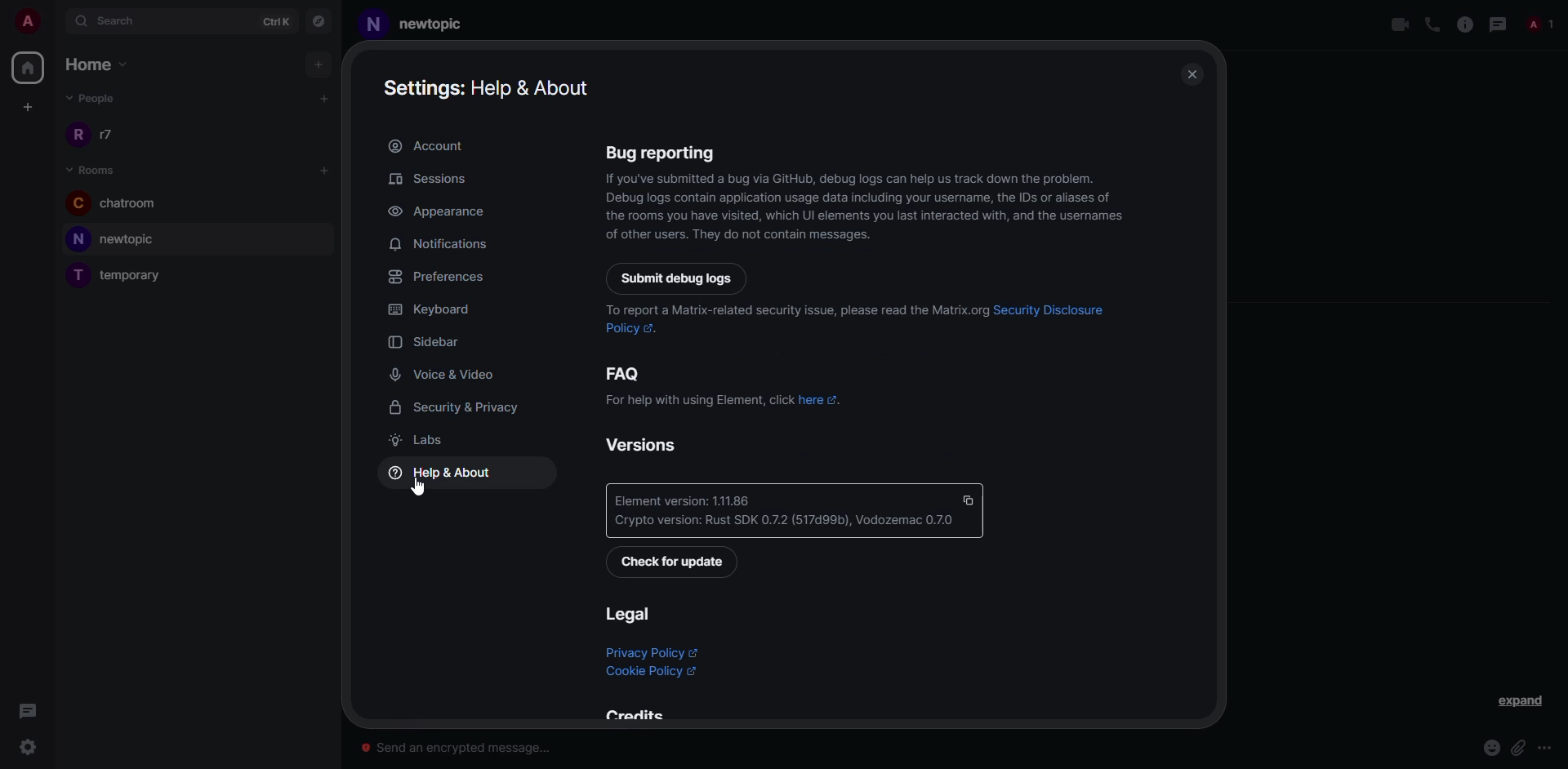  What do you see at coordinates (652, 672) in the screenshot?
I see `cookie policy` at bounding box center [652, 672].